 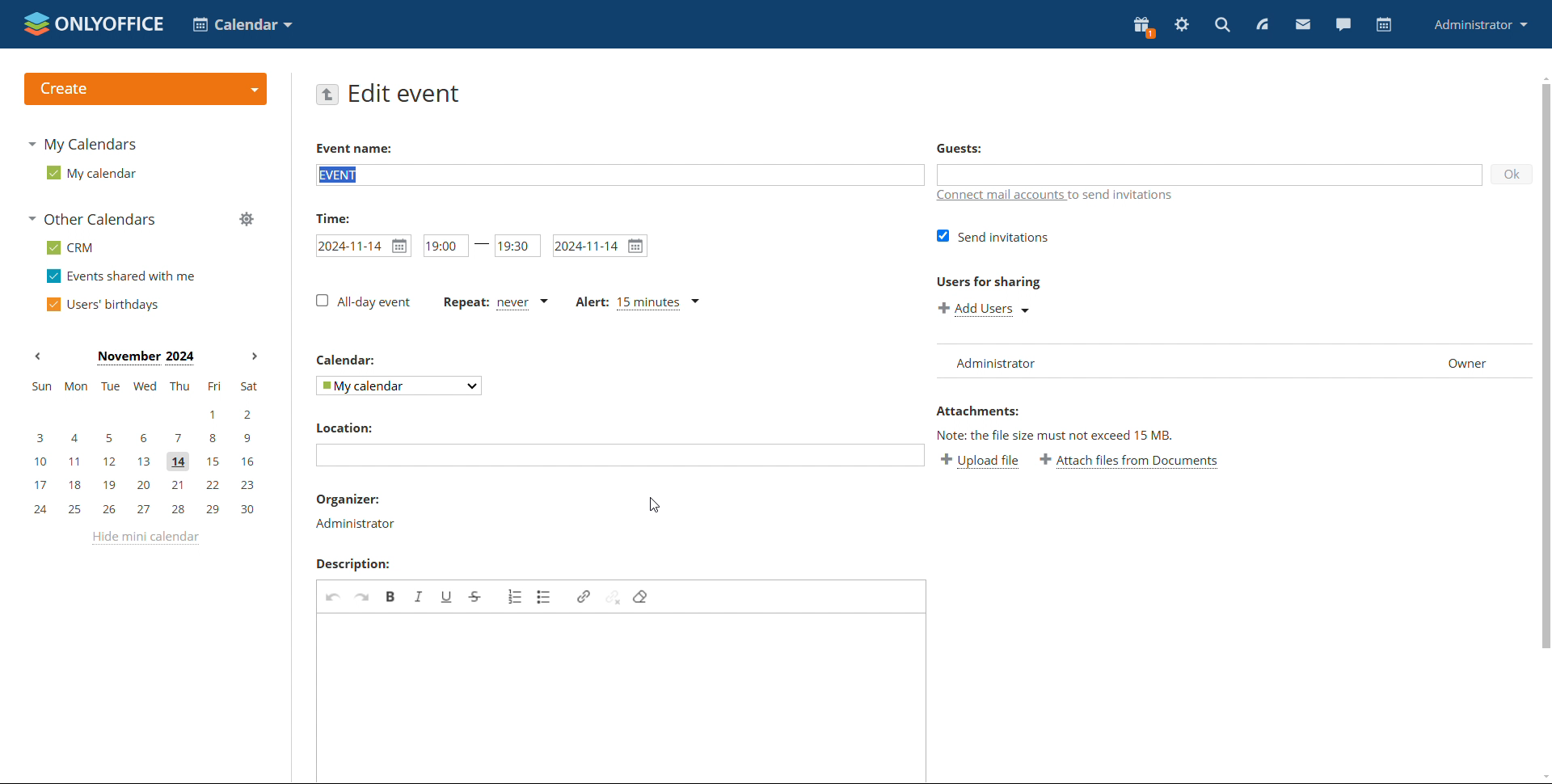 I want to click on start date, so click(x=364, y=247).